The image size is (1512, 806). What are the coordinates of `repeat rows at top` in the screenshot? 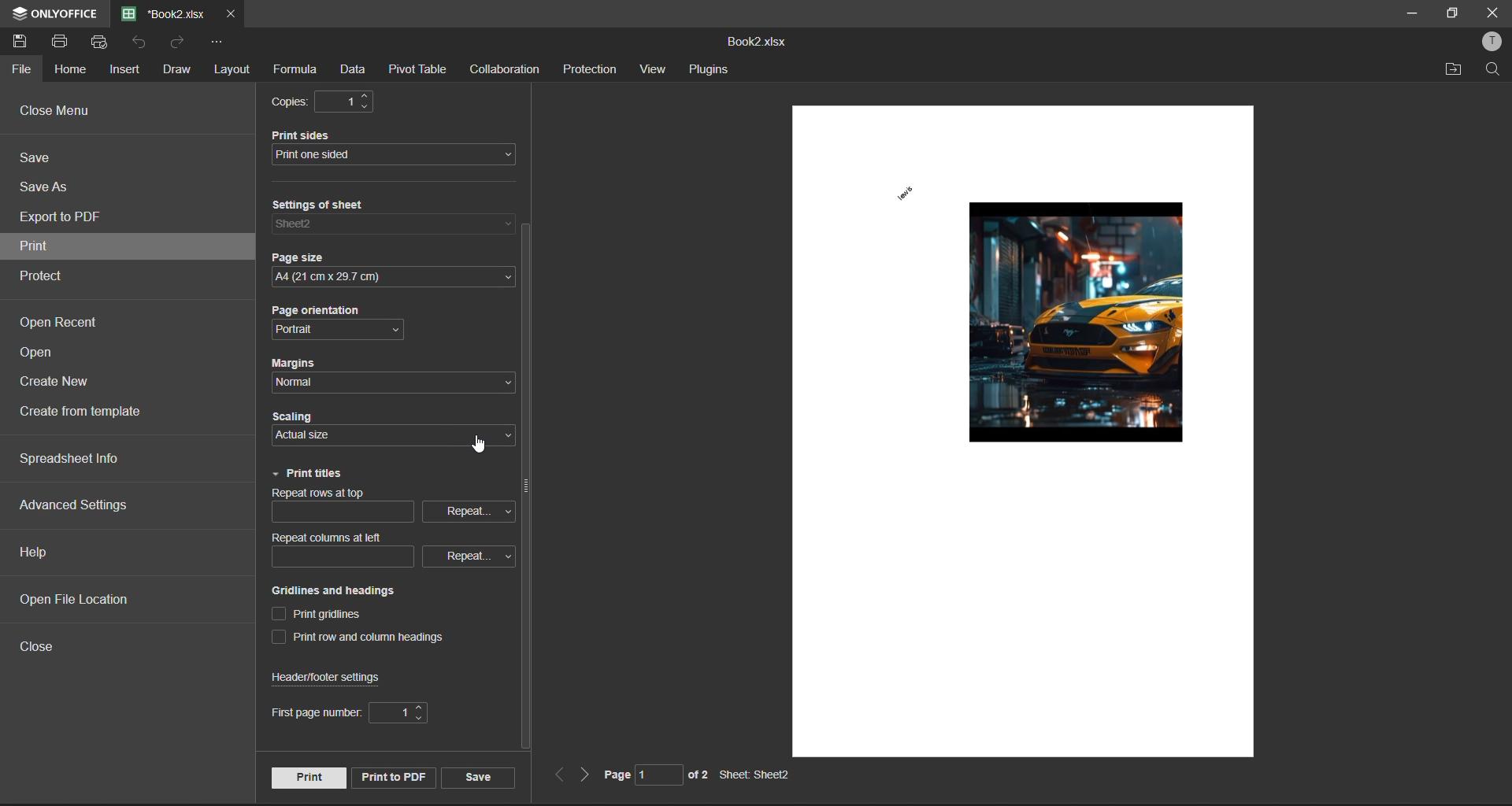 It's located at (332, 494).